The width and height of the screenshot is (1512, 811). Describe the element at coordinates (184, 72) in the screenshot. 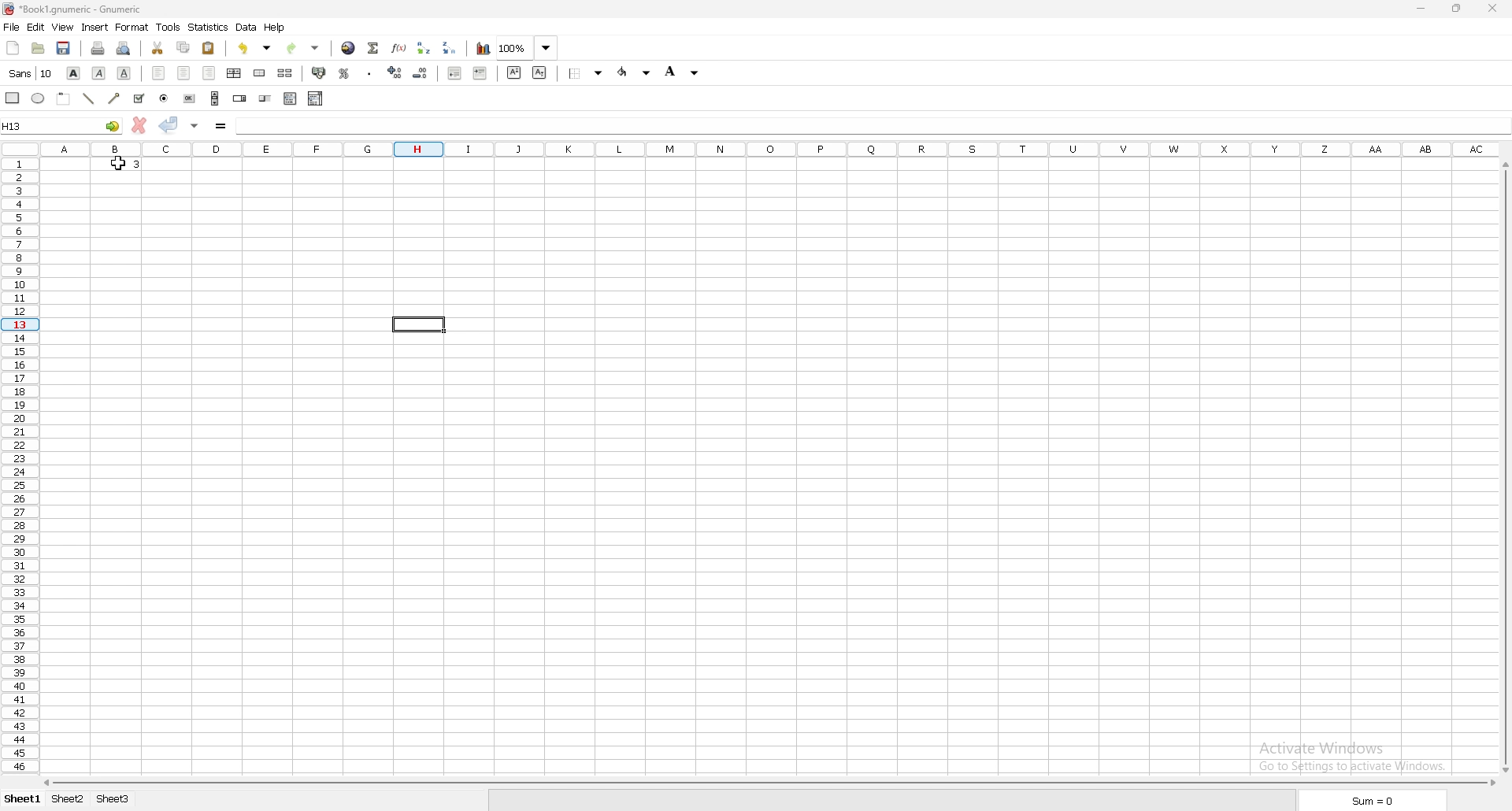

I see `center` at that location.